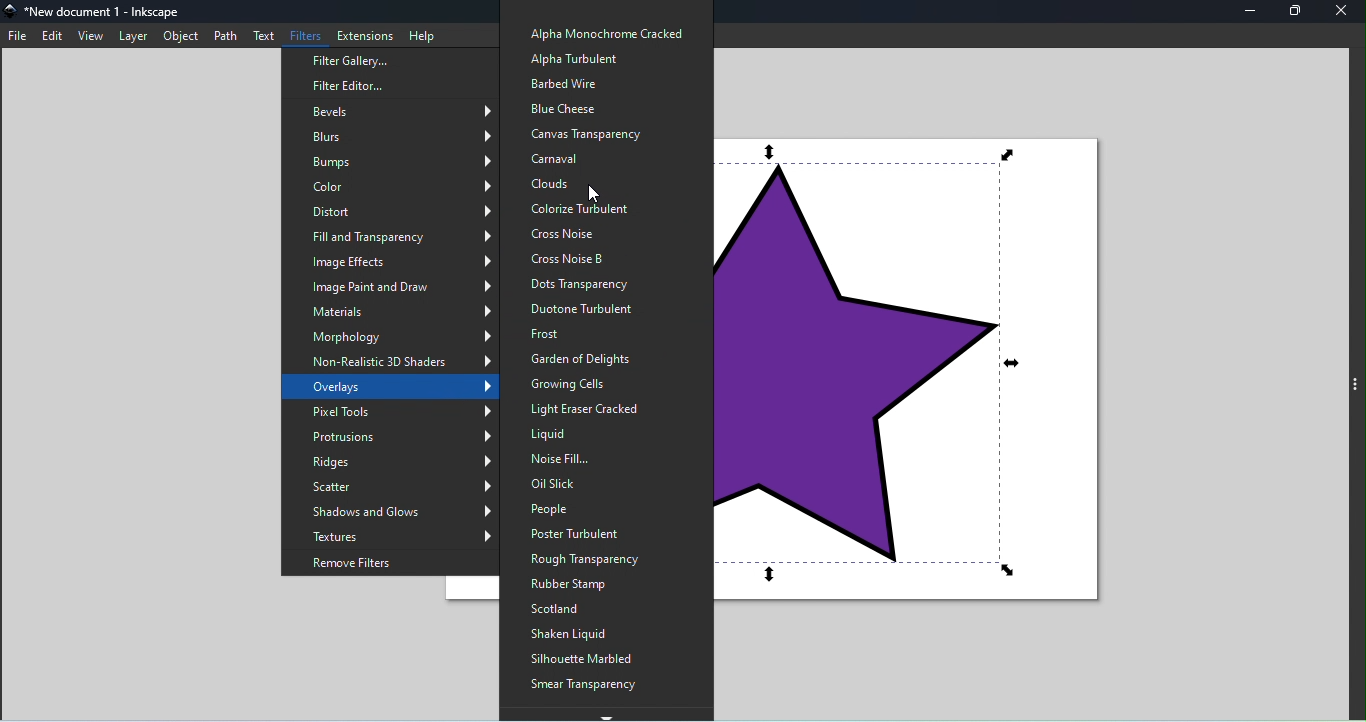 The width and height of the screenshot is (1366, 722). What do you see at coordinates (587, 686) in the screenshot?
I see `Smear transparency` at bounding box center [587, 686].